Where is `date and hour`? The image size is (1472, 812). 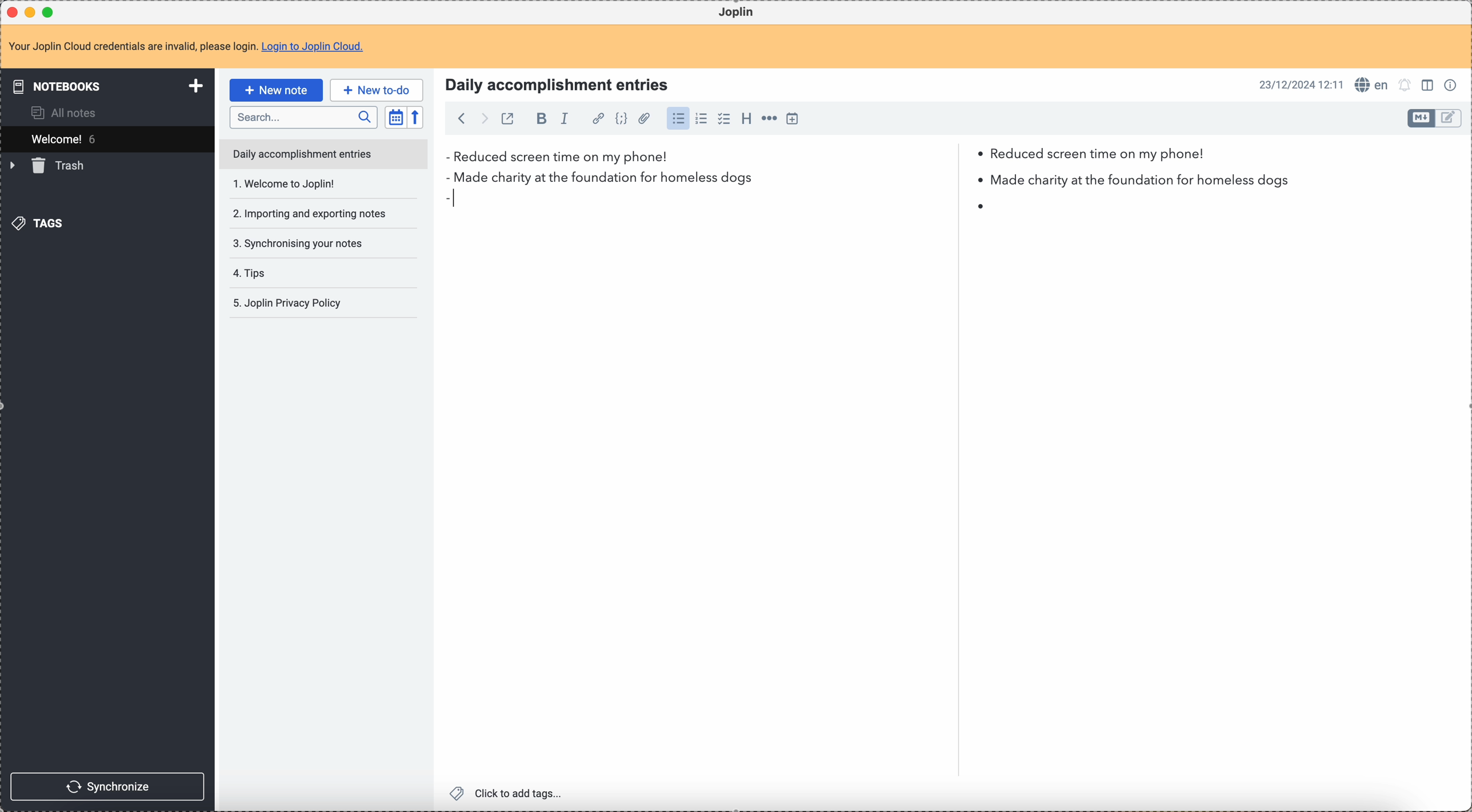 date and hour is located at coordinates (1299, 85).